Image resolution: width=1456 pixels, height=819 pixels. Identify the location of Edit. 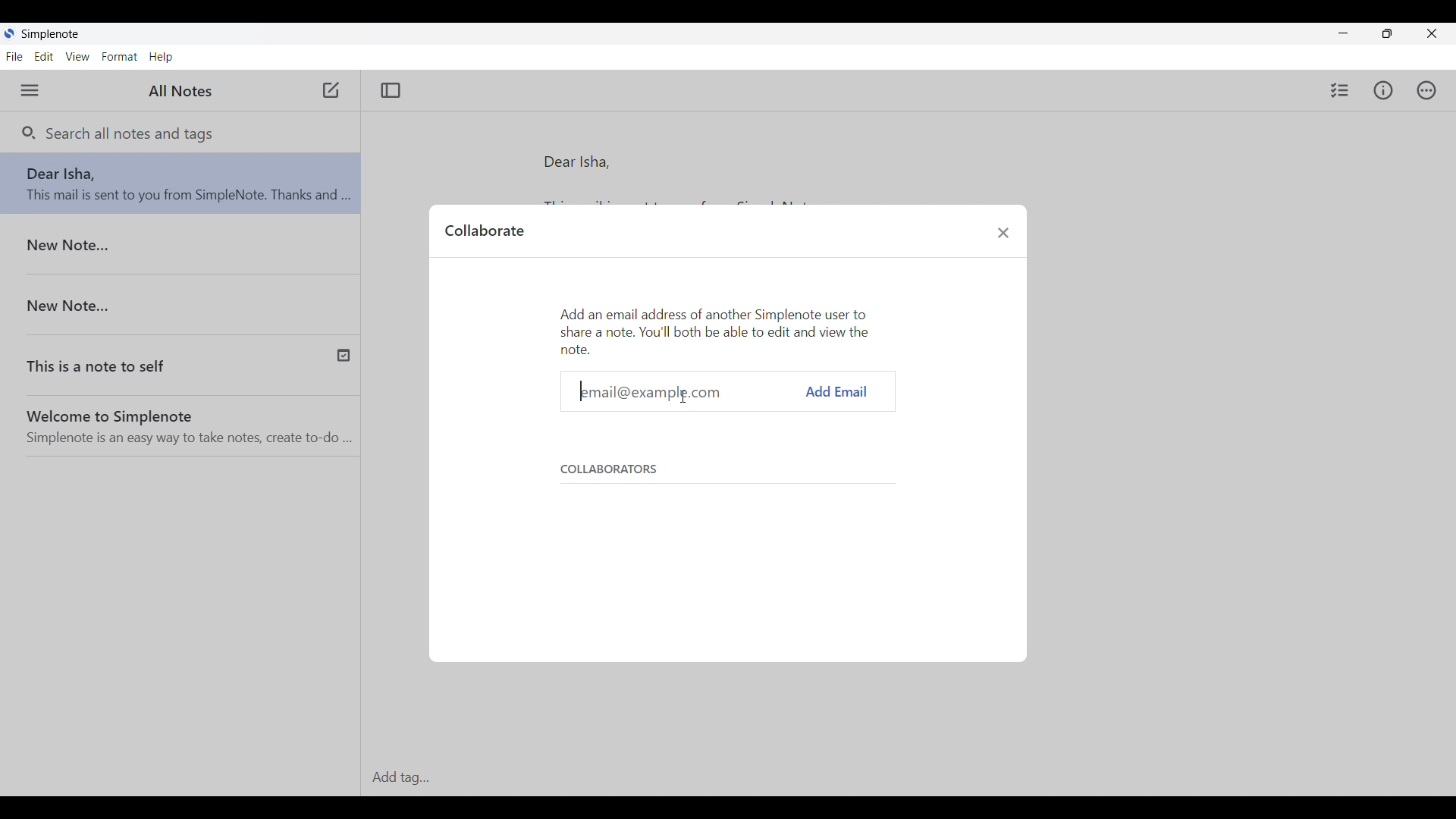
(44, 56).